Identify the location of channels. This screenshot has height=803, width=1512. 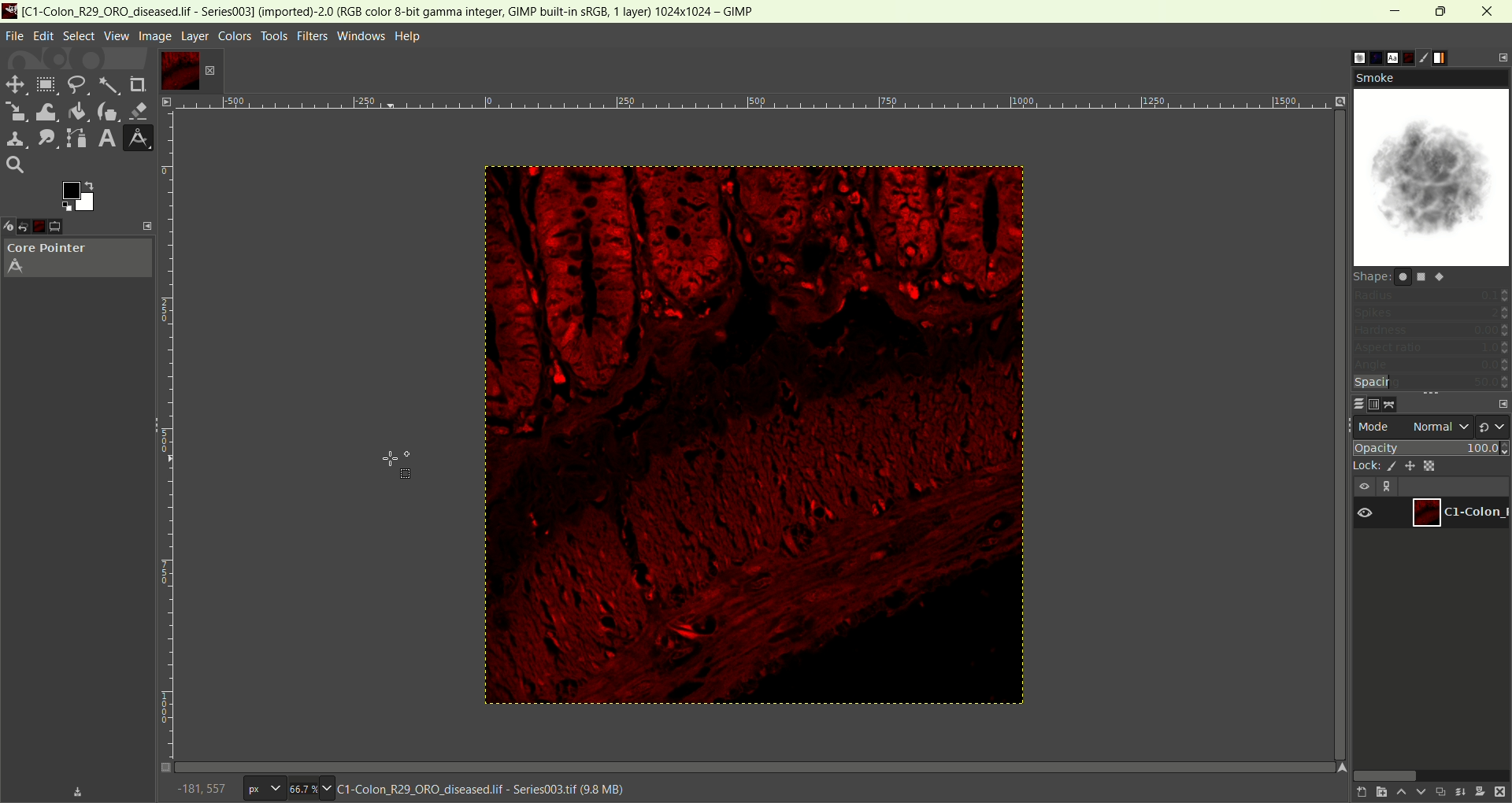
(1374, 405).